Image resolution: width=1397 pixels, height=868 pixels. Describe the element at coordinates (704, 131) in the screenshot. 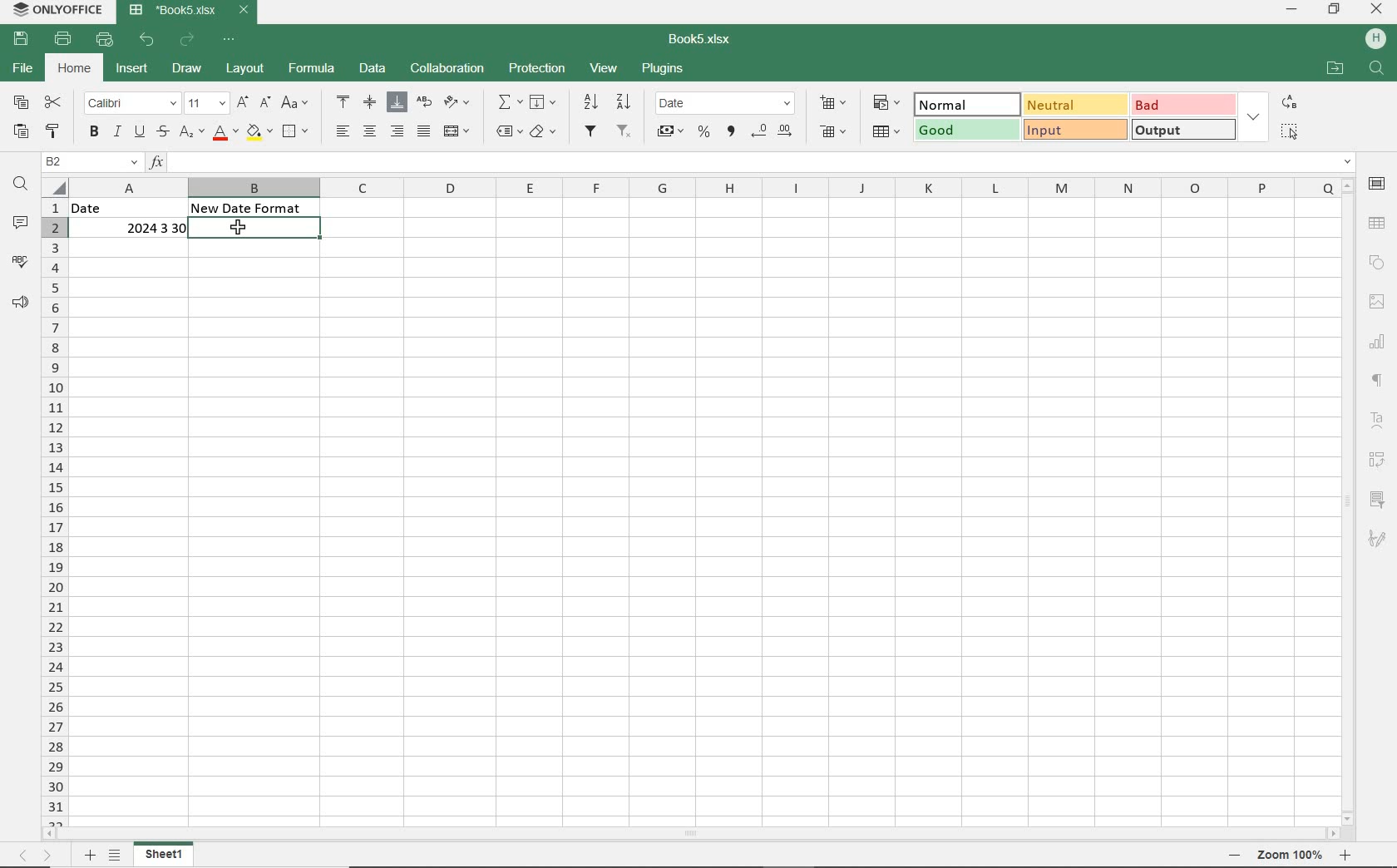

I see `PERCENT STYLE` at that location.